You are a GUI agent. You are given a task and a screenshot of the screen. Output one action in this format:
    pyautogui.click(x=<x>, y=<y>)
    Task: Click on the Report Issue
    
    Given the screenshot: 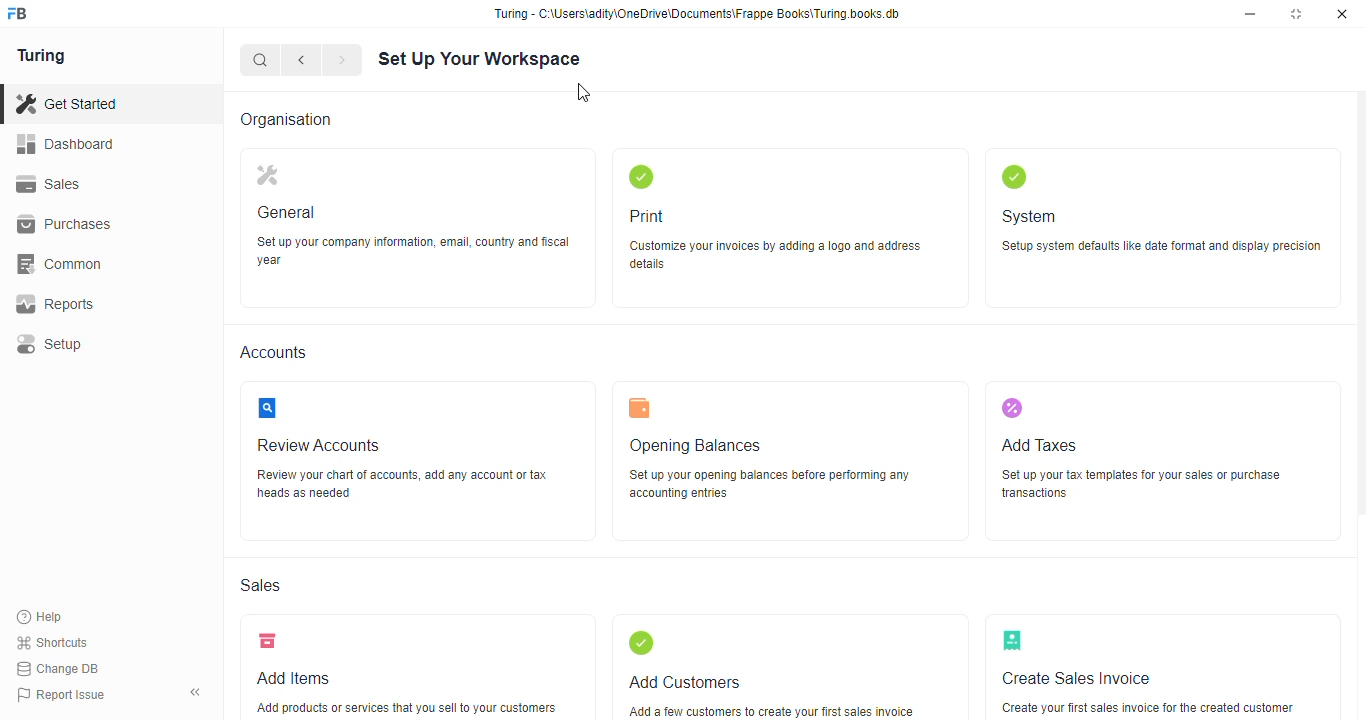 What is the action you would take?
    pyautogui.click(x=63, y=695)
    